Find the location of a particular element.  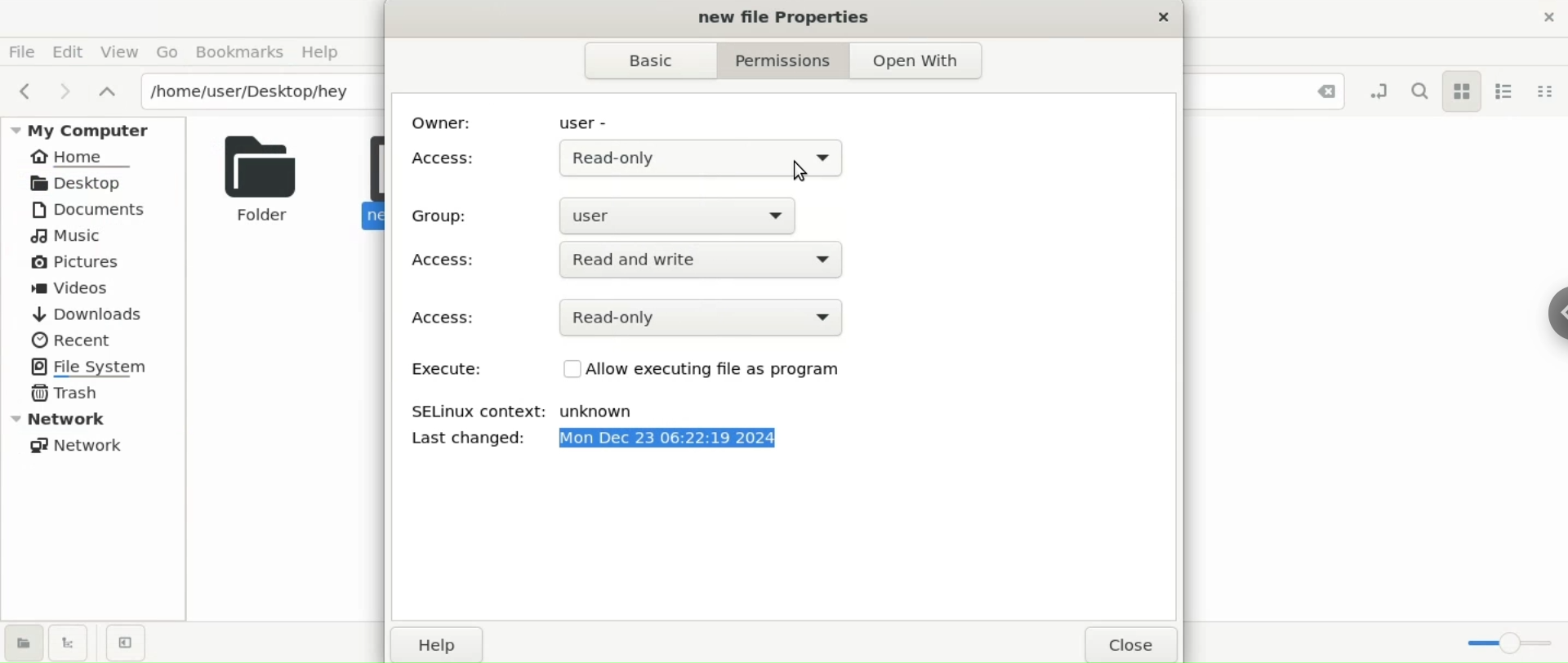

Access is located at coordinates (446, 158).